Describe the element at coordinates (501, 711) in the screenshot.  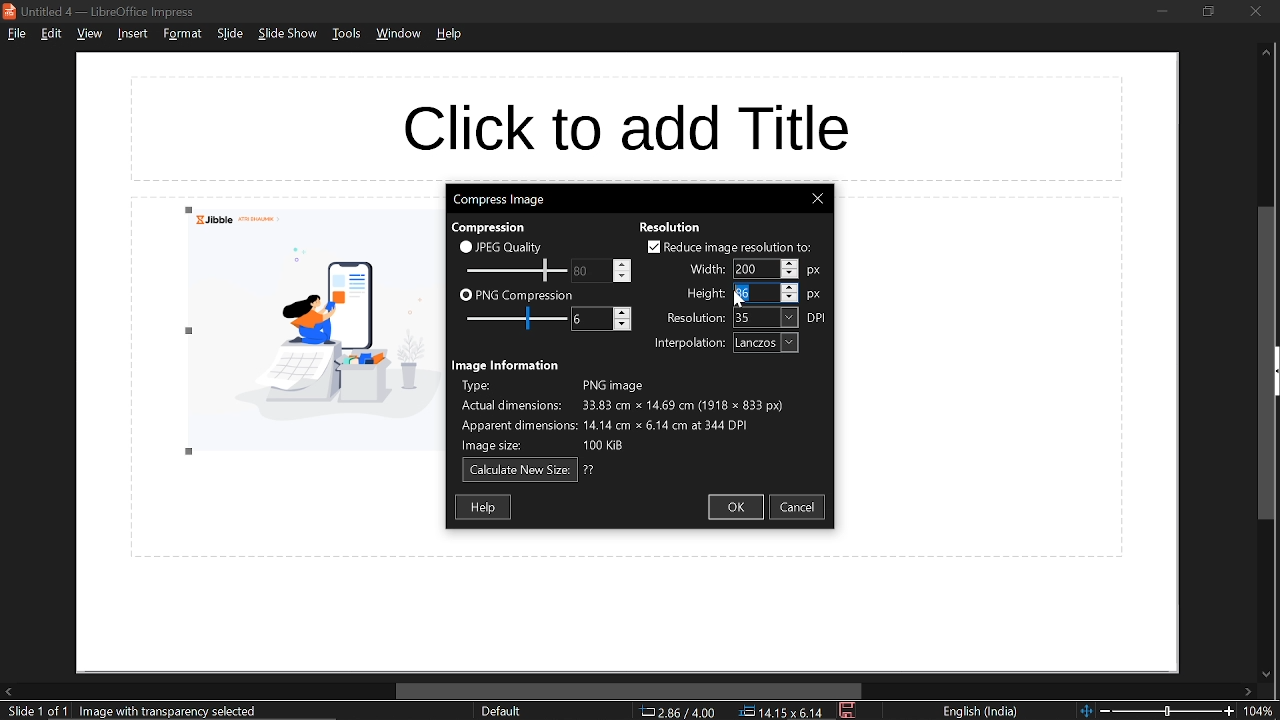
I see `slide style` at that location.